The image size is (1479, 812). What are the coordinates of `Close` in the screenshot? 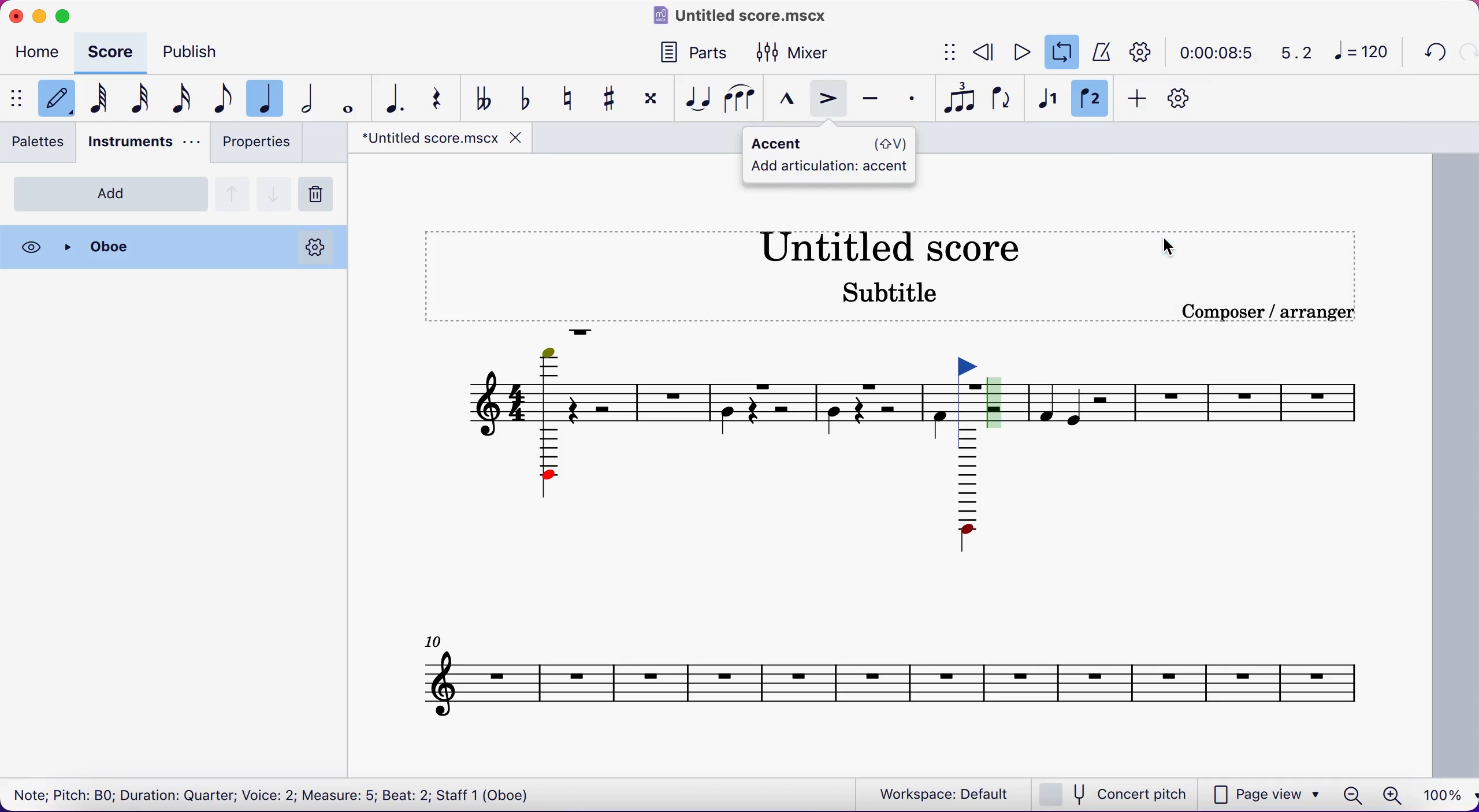 It's located at (158, 247).